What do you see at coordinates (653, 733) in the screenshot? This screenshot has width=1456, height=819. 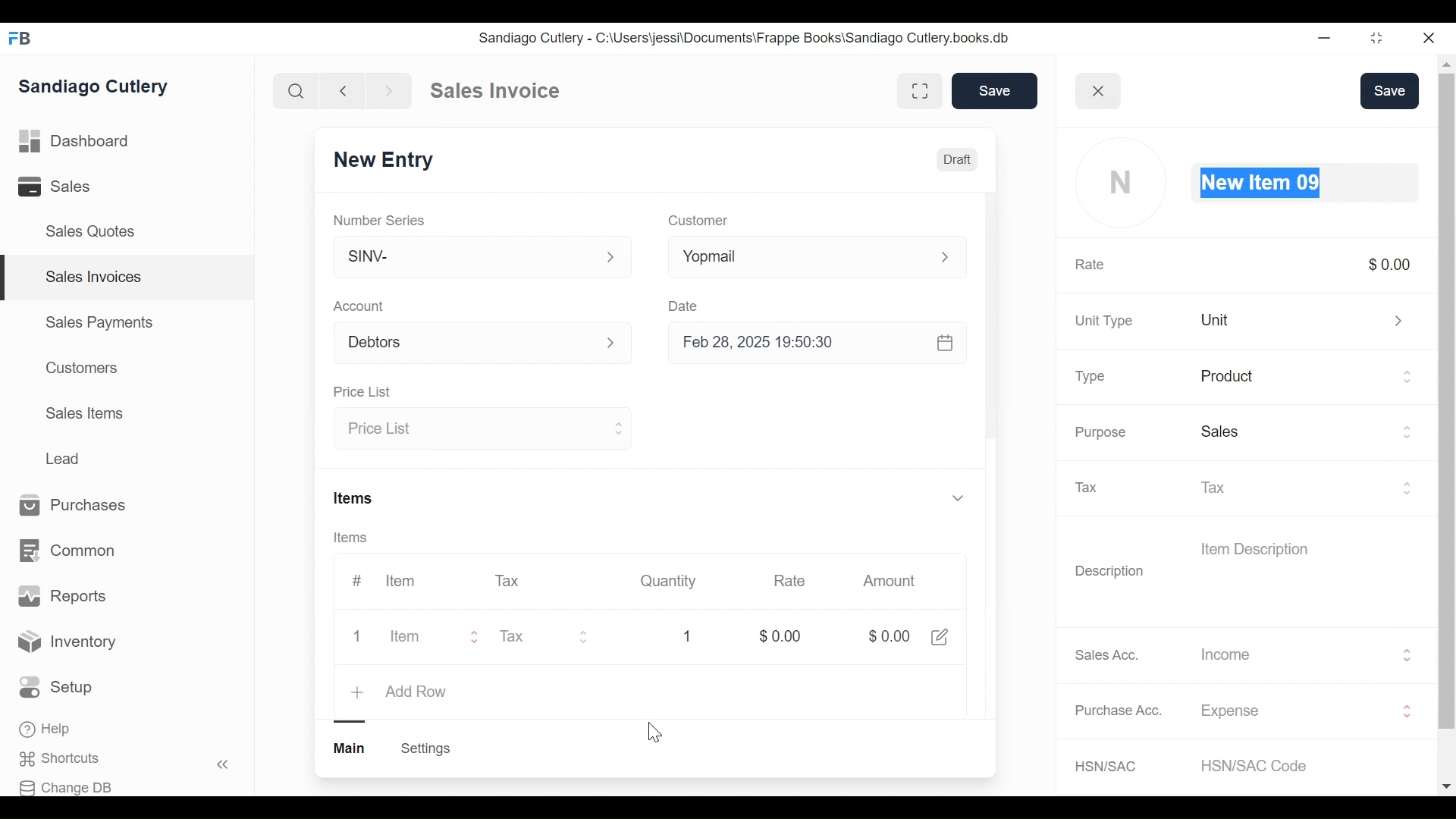 I see `cursor` at bounding box center [653, 733].